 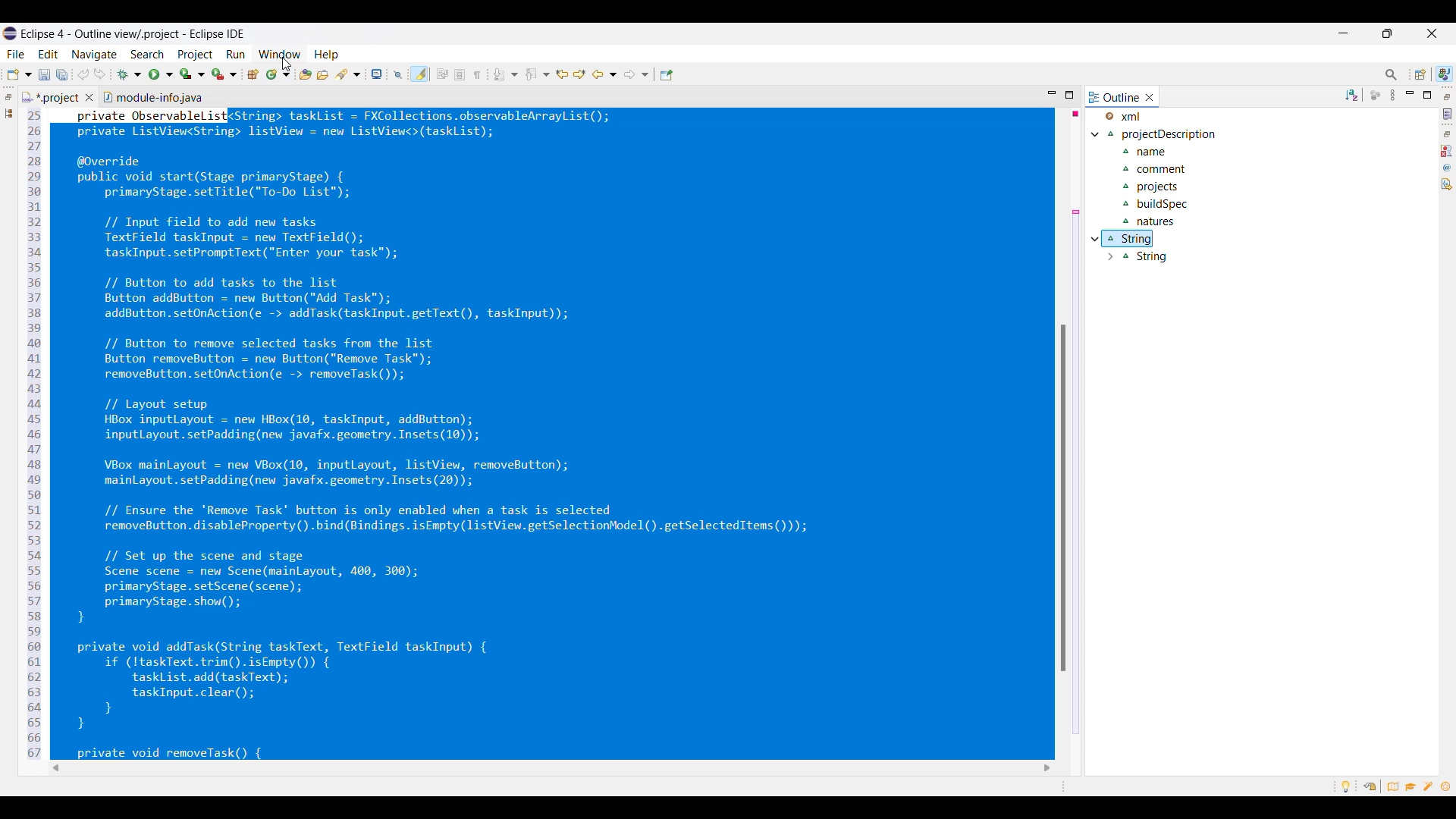 What do you see at coordinates (1346, 787) in the screenshot?
I see `Tip of the day` at bounding box center [1346, 787].